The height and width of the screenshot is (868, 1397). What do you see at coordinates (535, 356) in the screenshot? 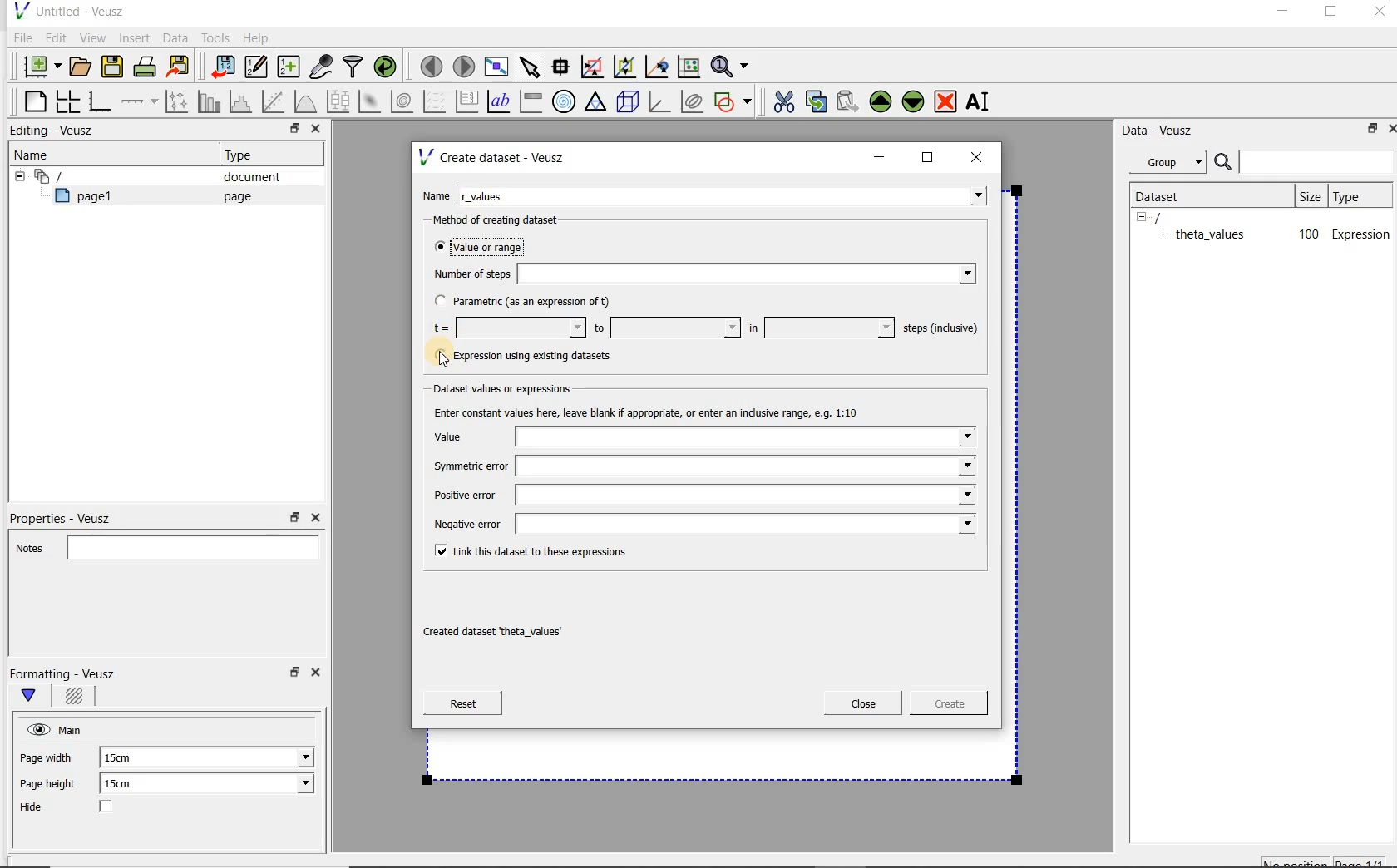
I see `(® Expression using existing datasets` at bounding box center [535, 356].